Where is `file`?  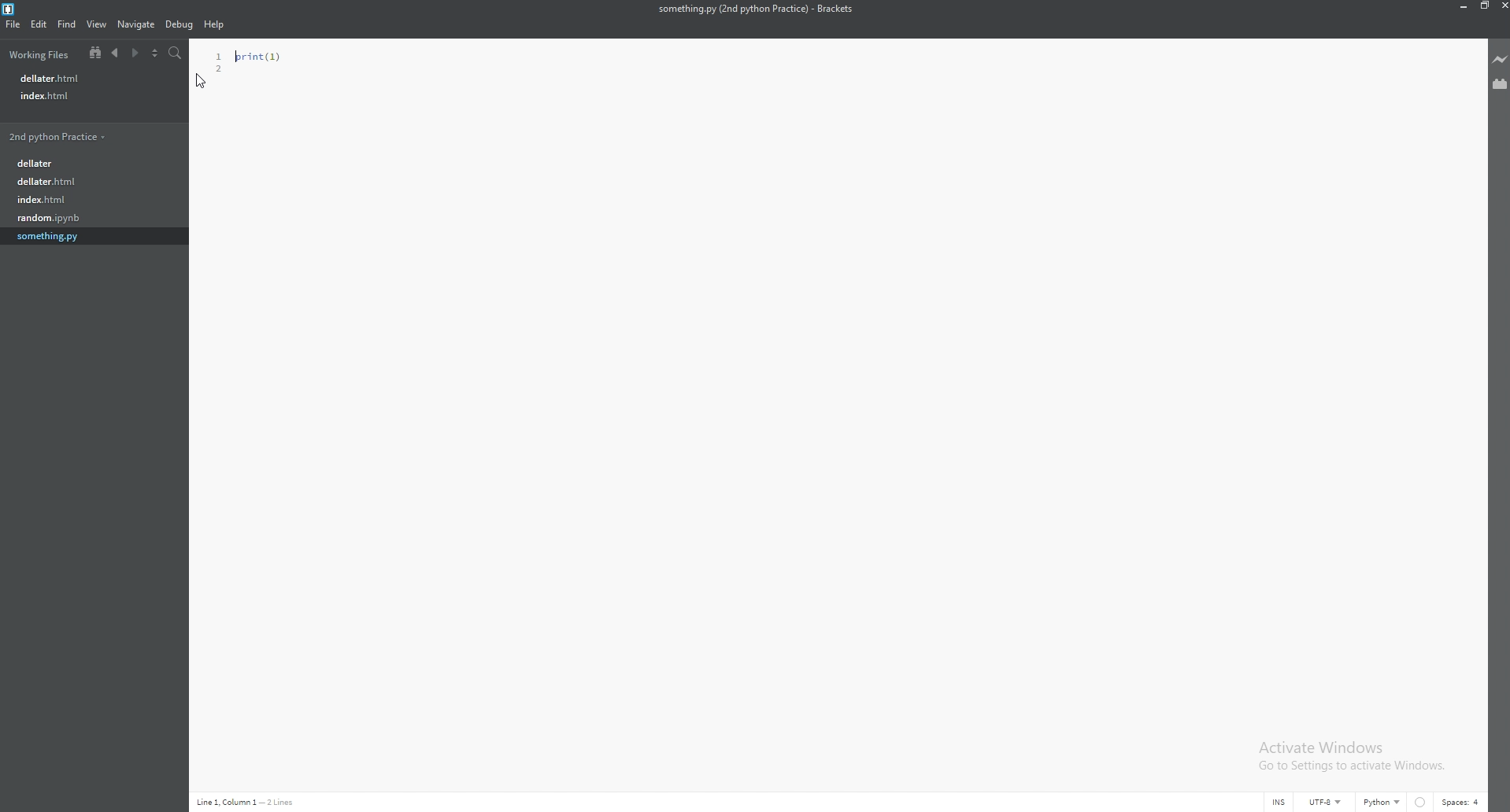 file is located at coordinates (13, 24).